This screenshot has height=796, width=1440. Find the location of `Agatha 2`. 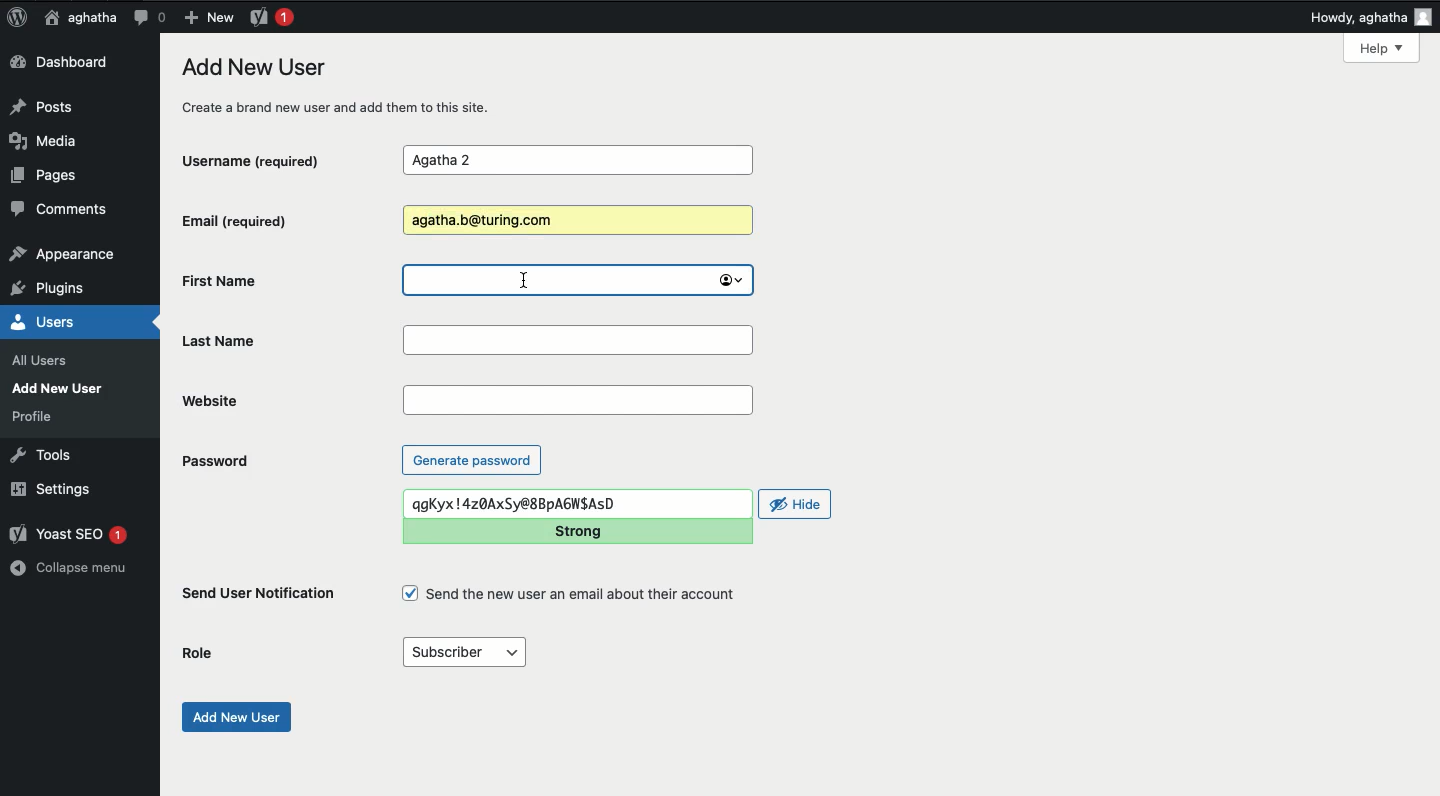

Agatha 2 is located at coordinates (577, 161).